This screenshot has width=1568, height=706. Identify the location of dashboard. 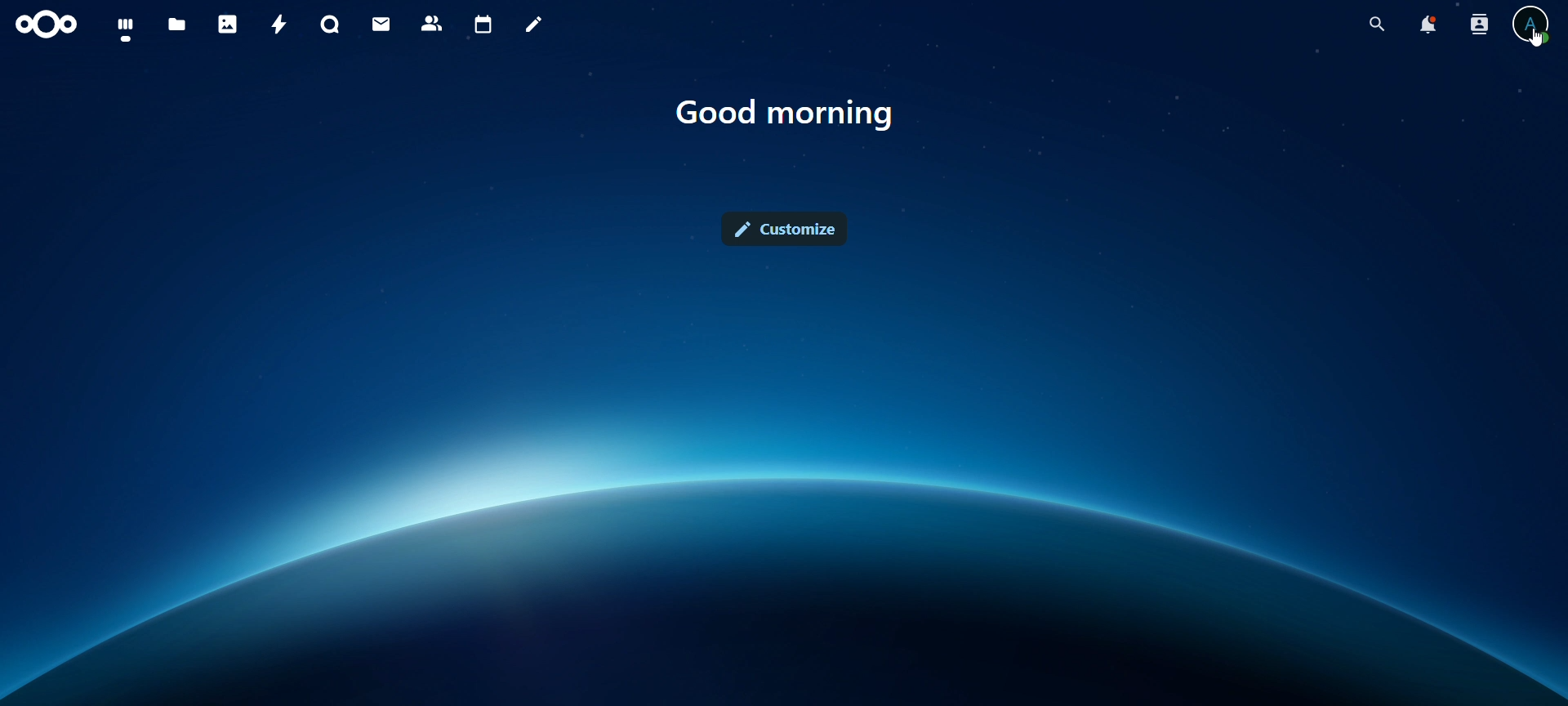
(127, 29).